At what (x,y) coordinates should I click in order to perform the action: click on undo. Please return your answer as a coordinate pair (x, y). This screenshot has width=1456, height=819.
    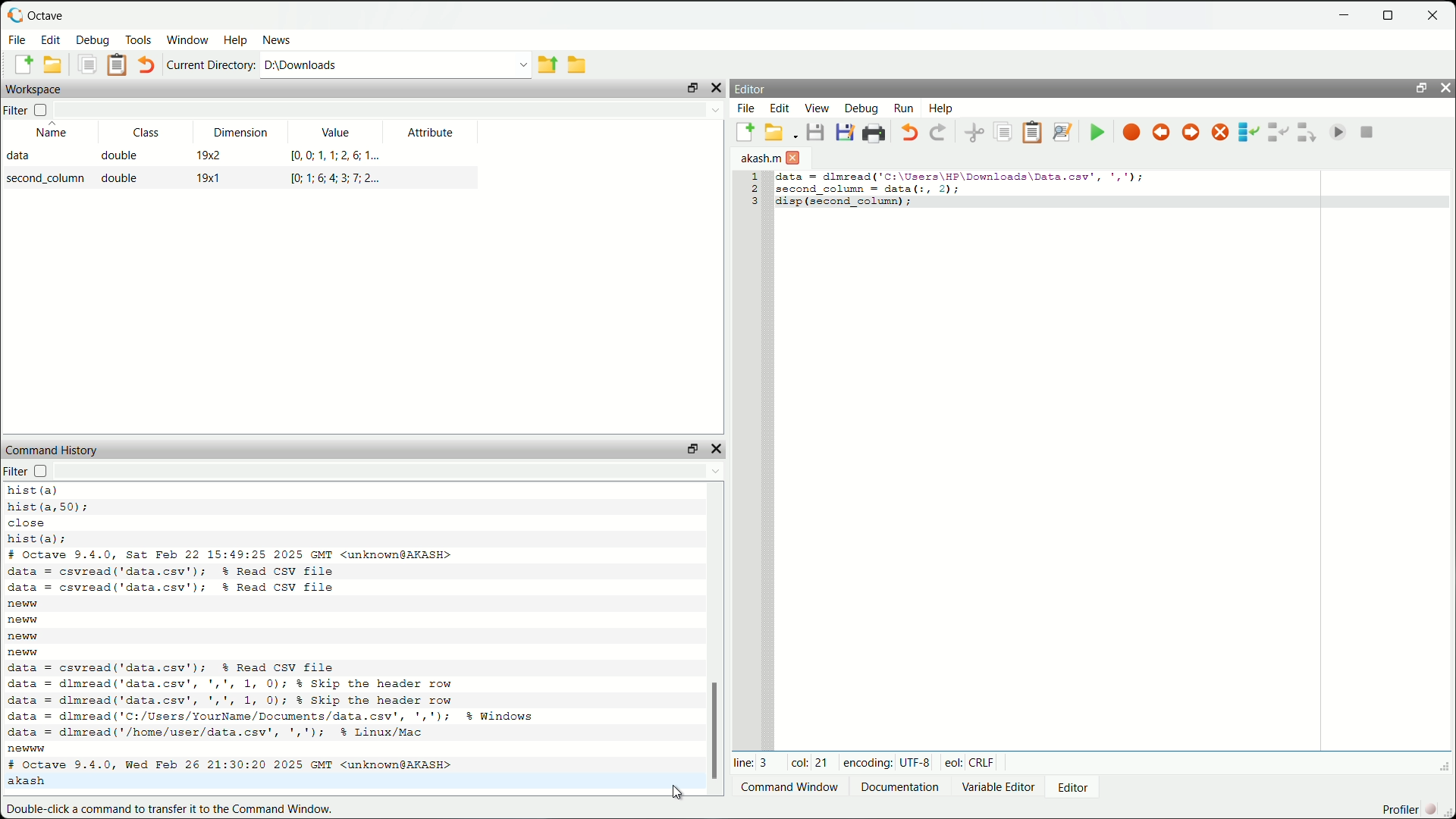
    Looking at the image, I should click on (908, 135).